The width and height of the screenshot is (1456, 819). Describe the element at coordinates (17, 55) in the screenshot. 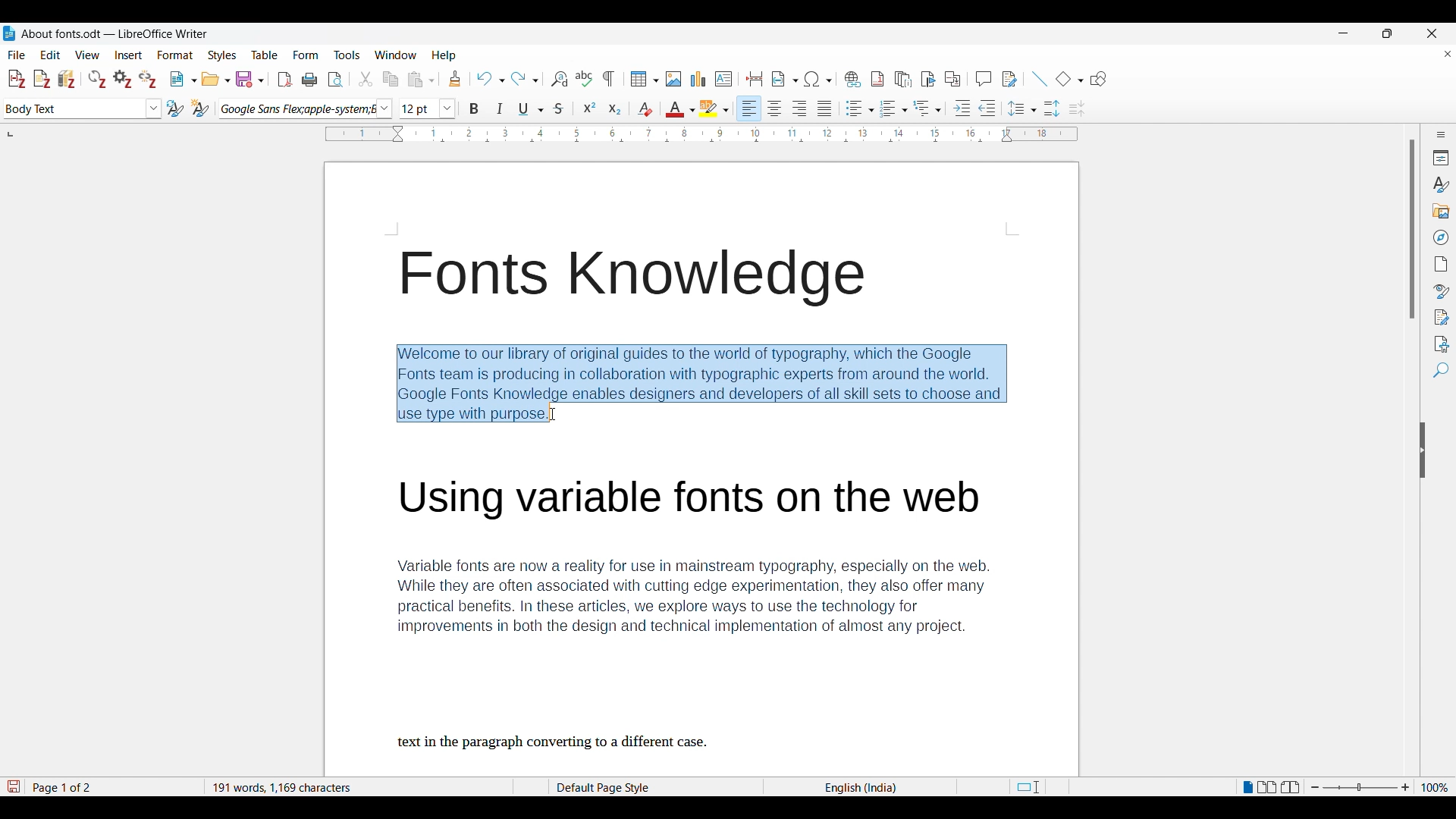

I see `File menu` at that location.